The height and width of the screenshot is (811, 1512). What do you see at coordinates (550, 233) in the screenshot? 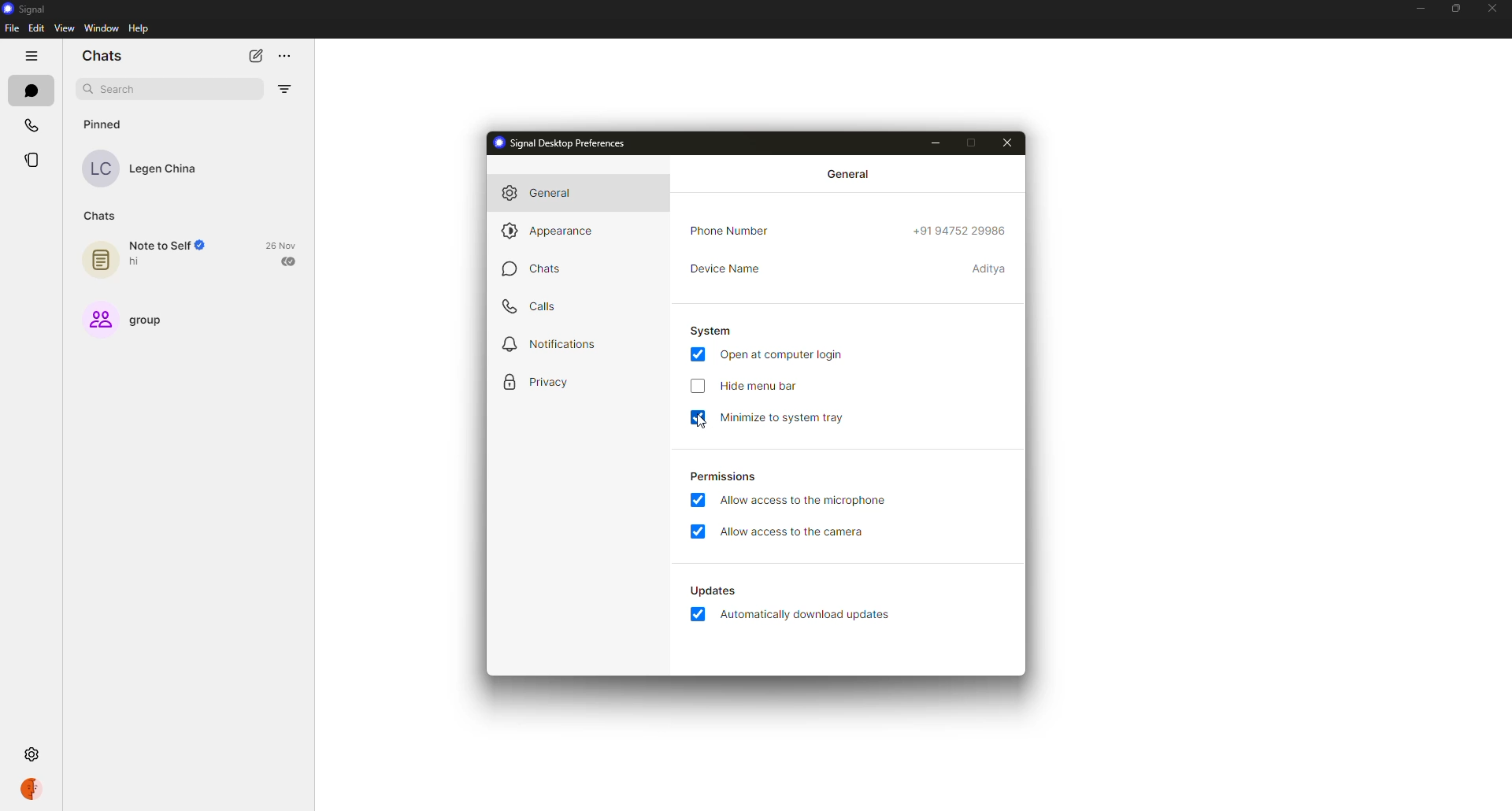
I see `appearance` at bounding box center [550, 233].